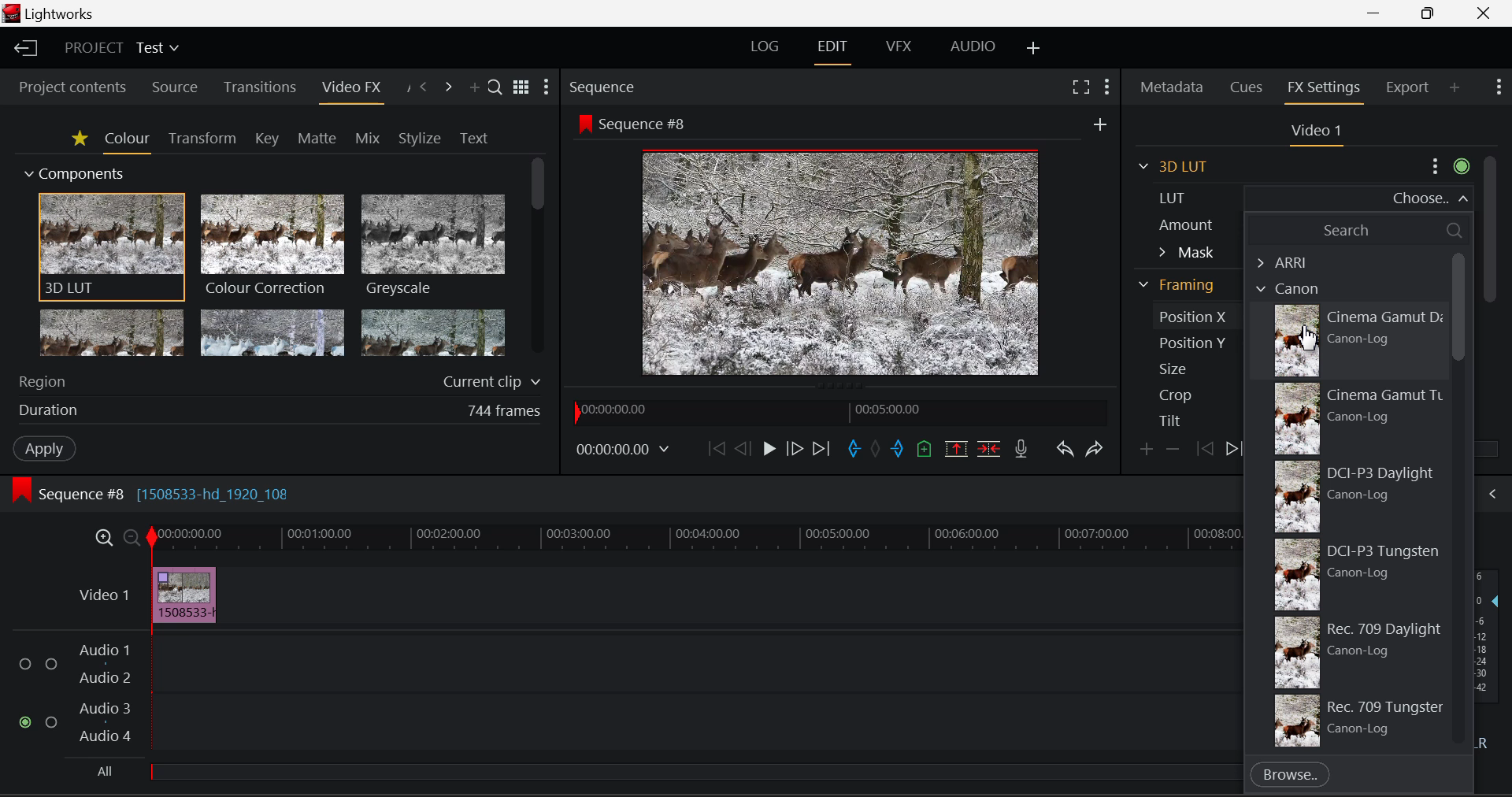 This screenshot has height=797, width=1512. I want to click on Transitions, so click(261, 87).